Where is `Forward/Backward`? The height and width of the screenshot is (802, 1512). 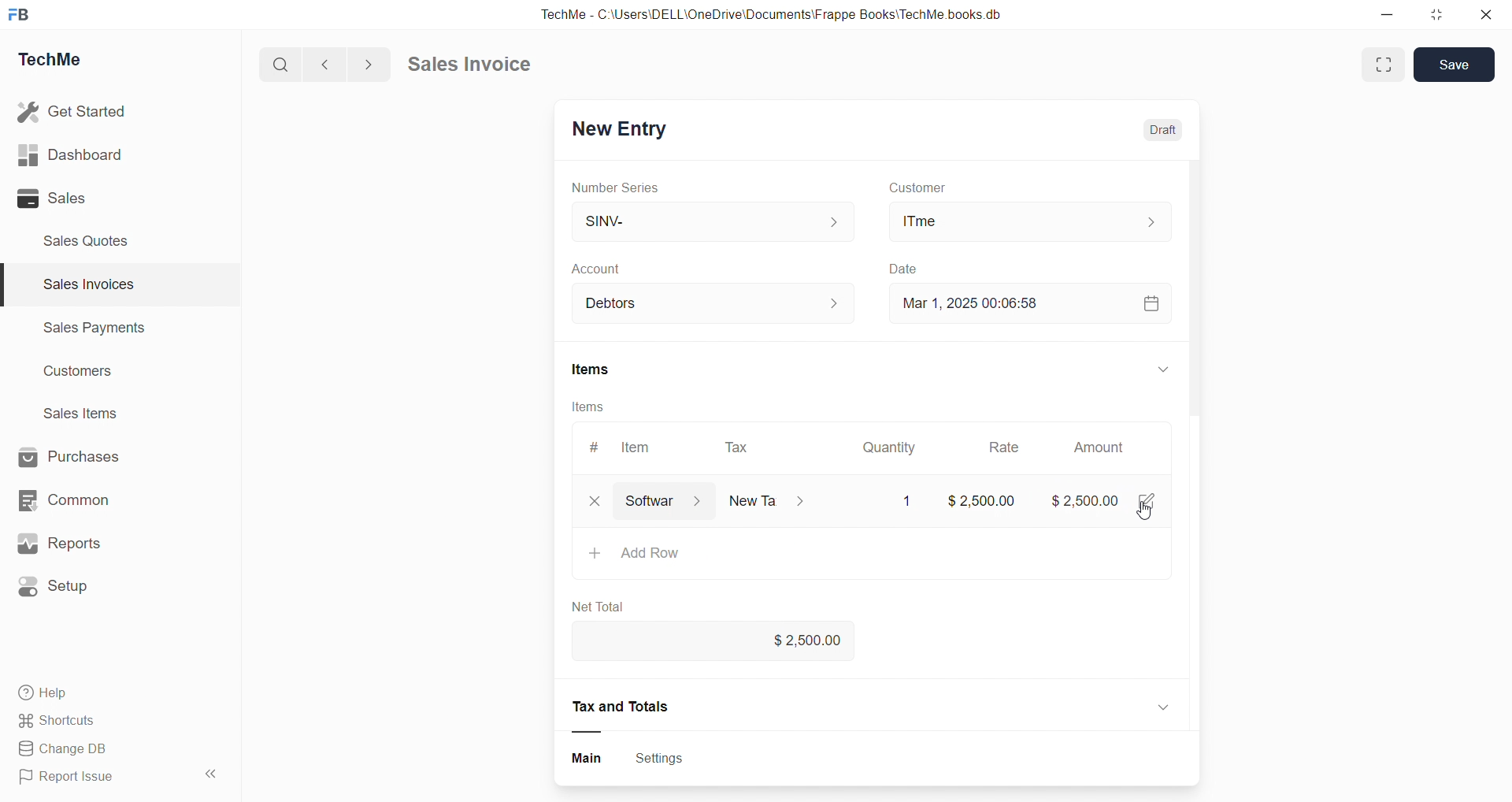
Forward/Backward is located at coordinates (348, 63).